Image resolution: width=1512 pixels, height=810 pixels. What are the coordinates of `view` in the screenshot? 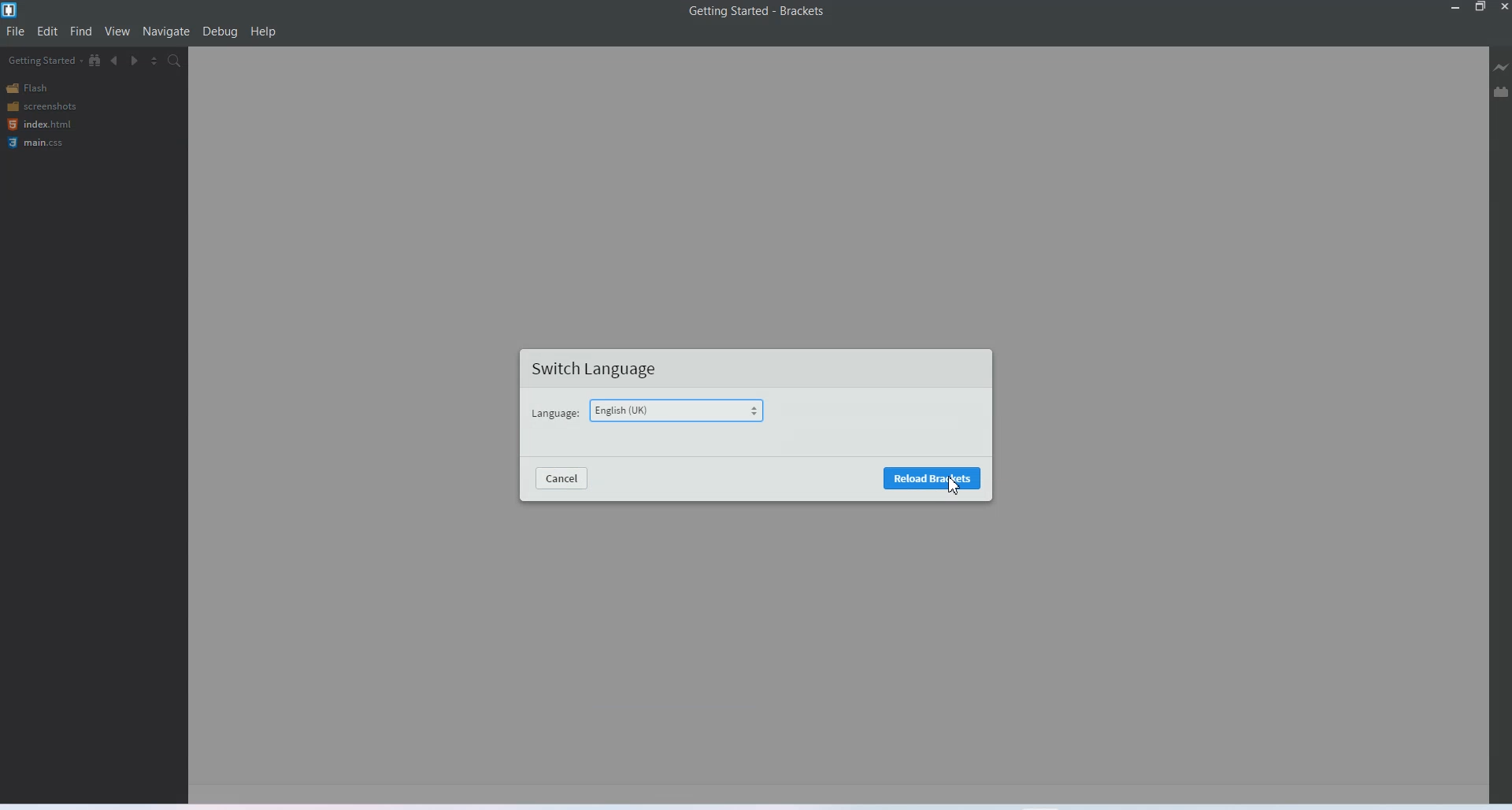 It's located at (118, 31).